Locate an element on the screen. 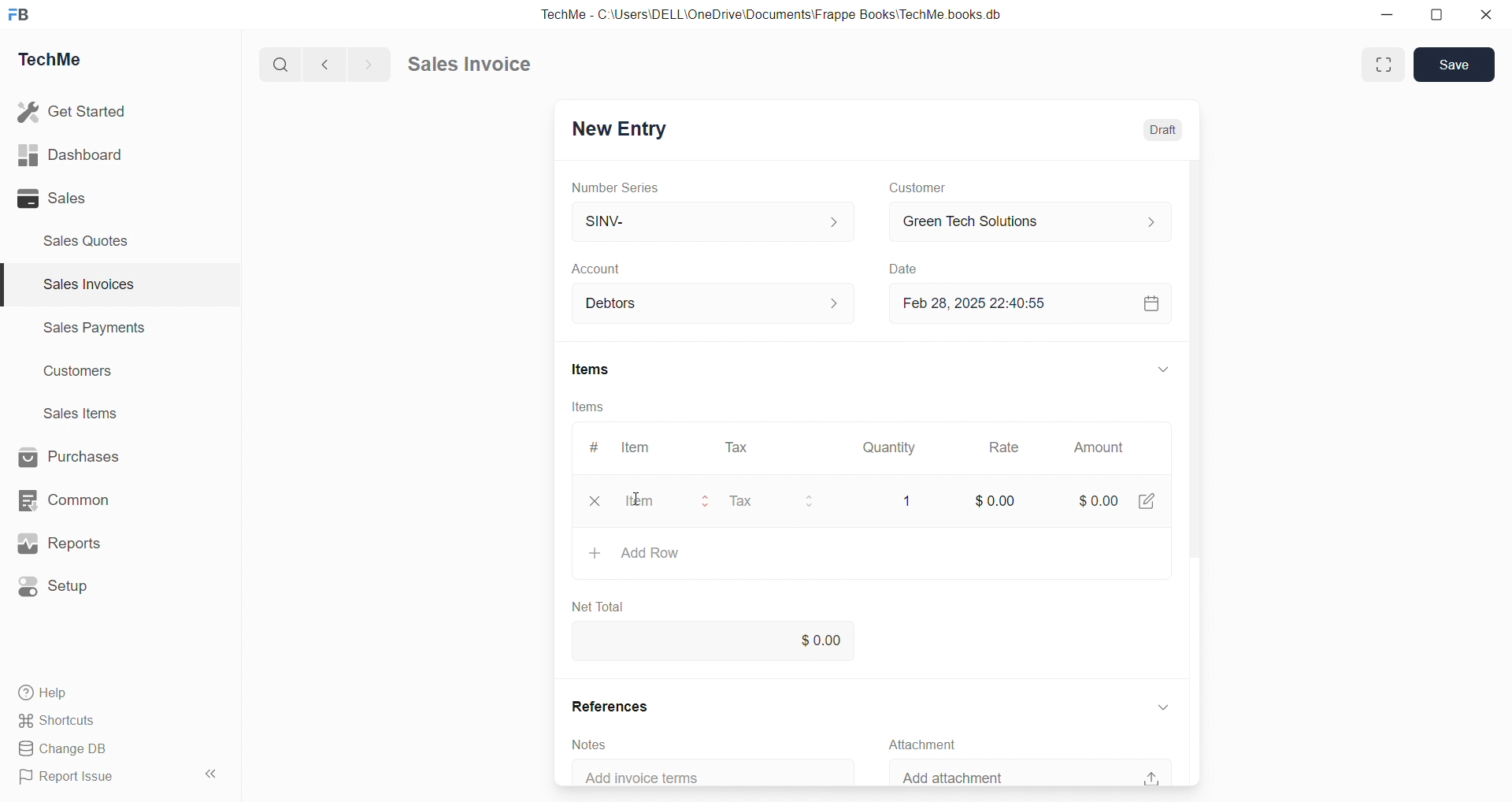  Sales invoice is located at coordinates (468, 63).